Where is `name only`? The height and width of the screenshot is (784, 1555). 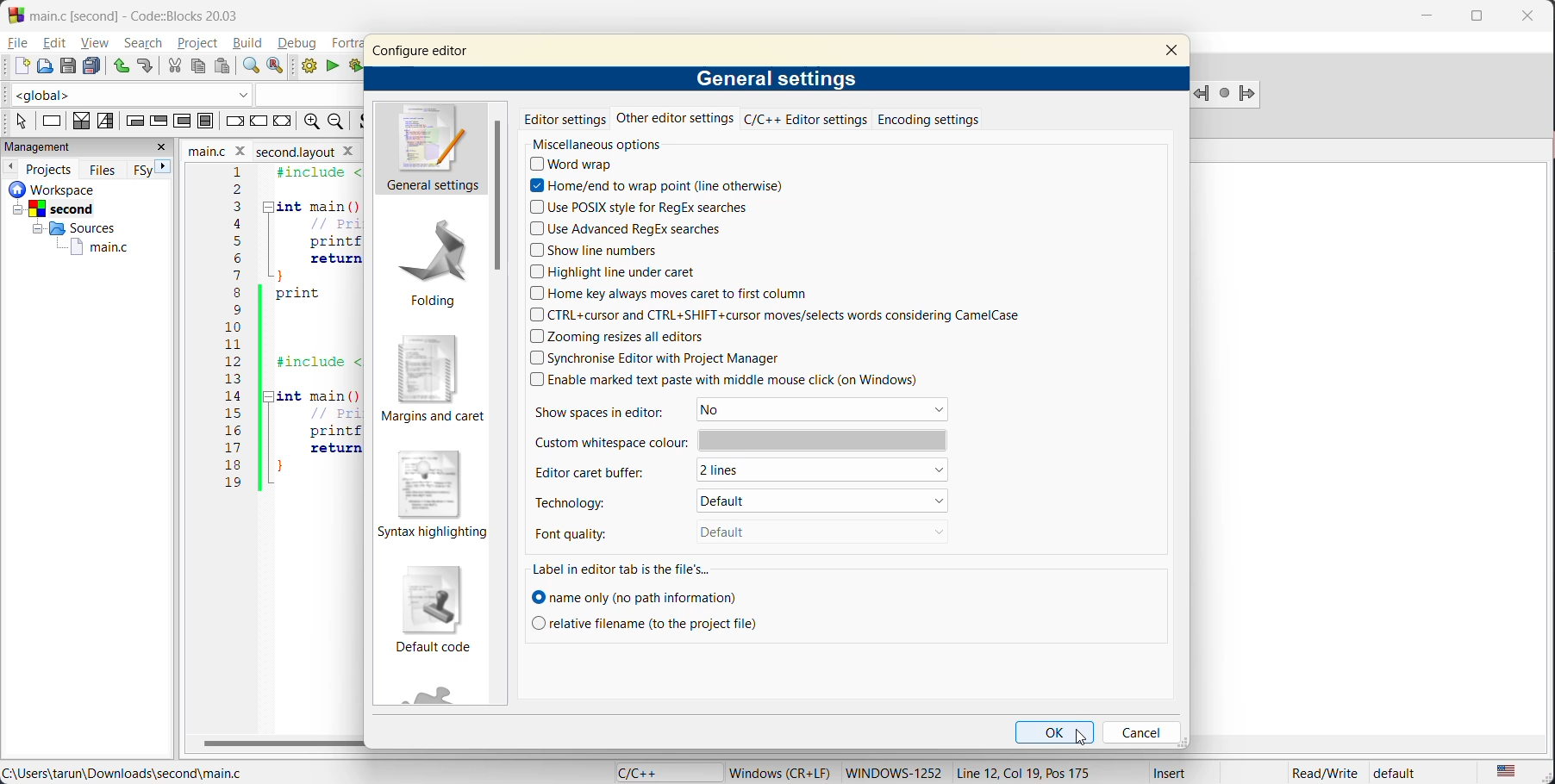
name only is located at coordinates (637, 596).